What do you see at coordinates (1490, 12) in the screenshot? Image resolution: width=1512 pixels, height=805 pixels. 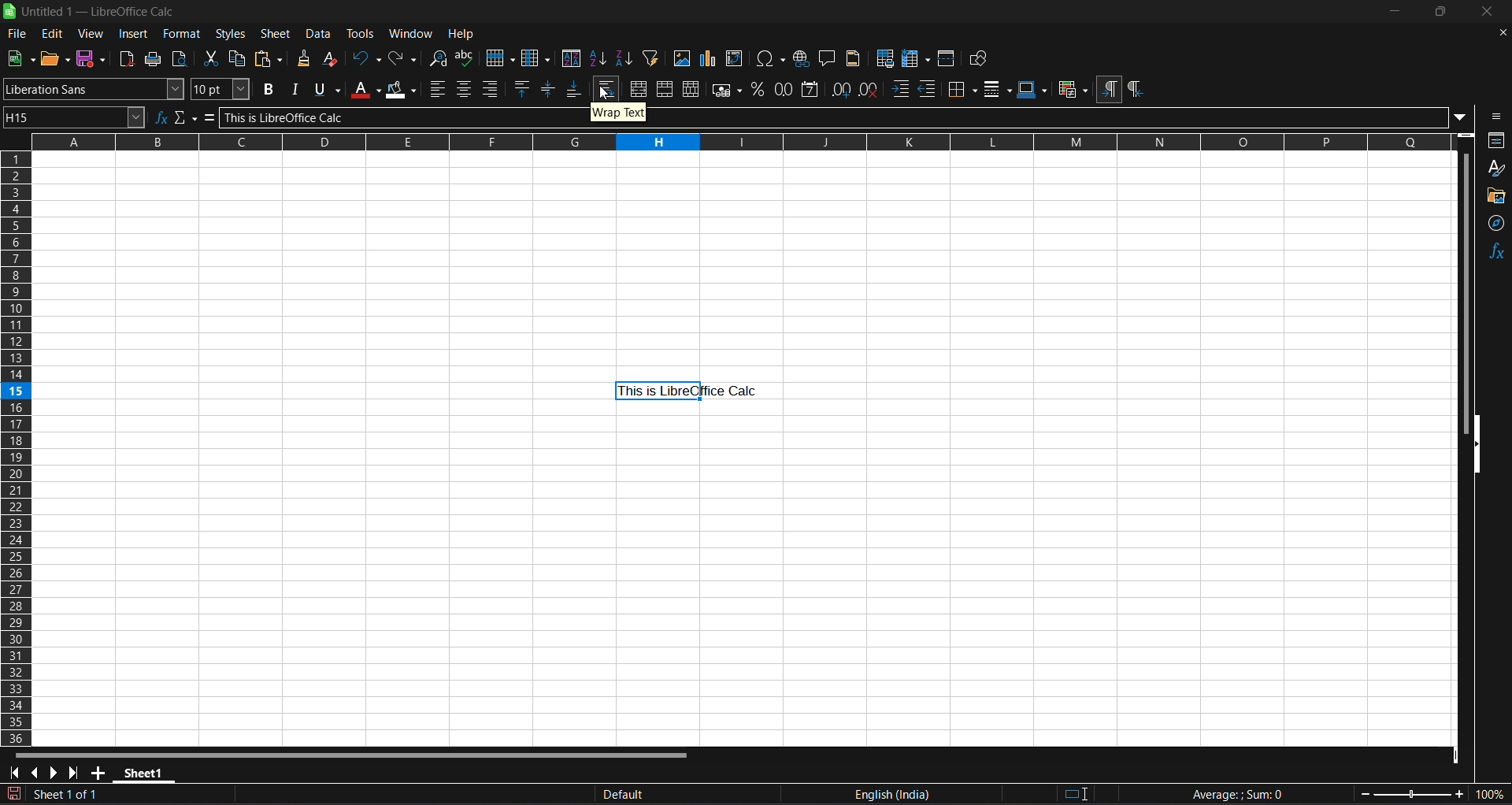 I see `close` at bounding box center [1490, 12].